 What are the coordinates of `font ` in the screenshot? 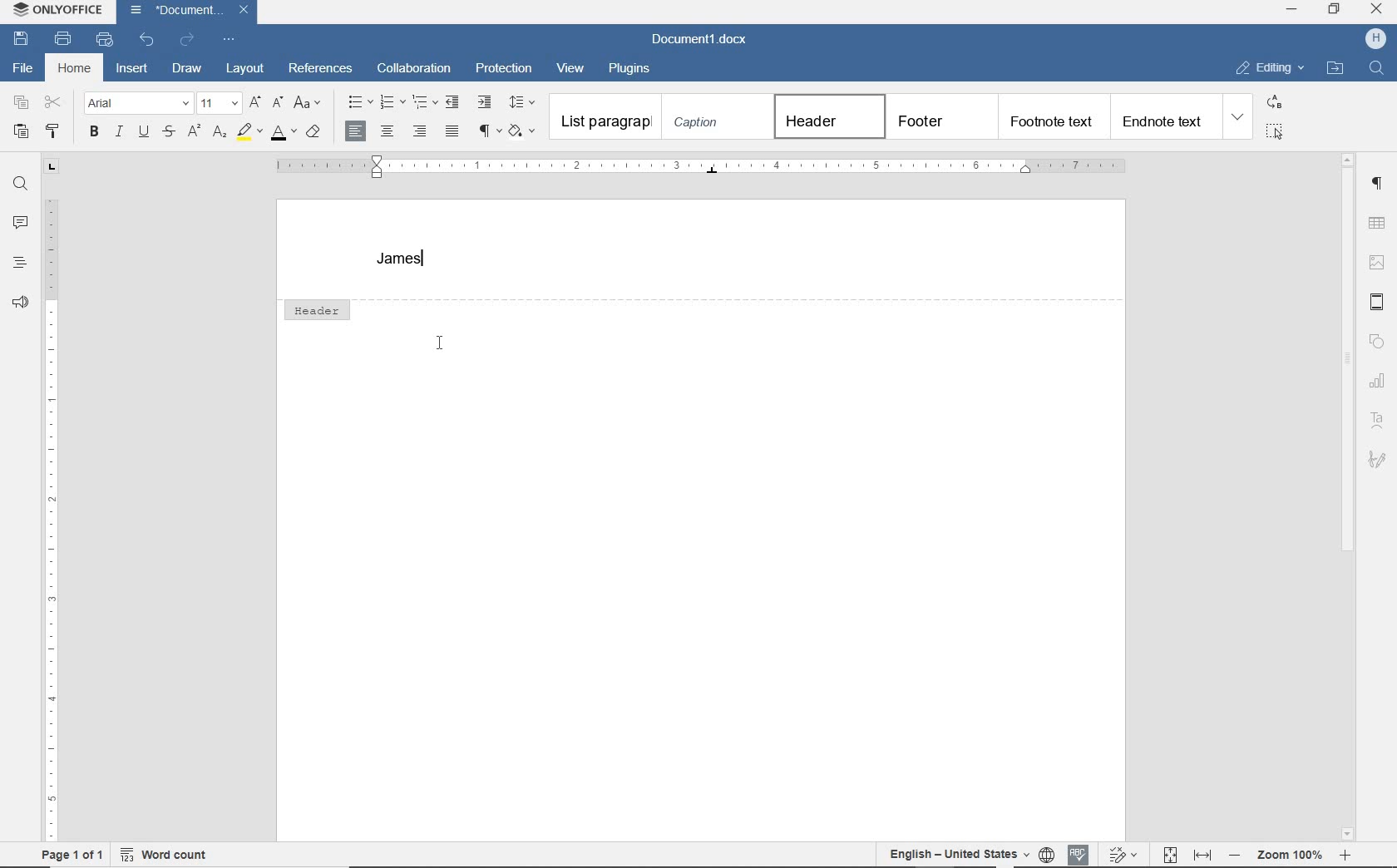 It's located at (138, 104).